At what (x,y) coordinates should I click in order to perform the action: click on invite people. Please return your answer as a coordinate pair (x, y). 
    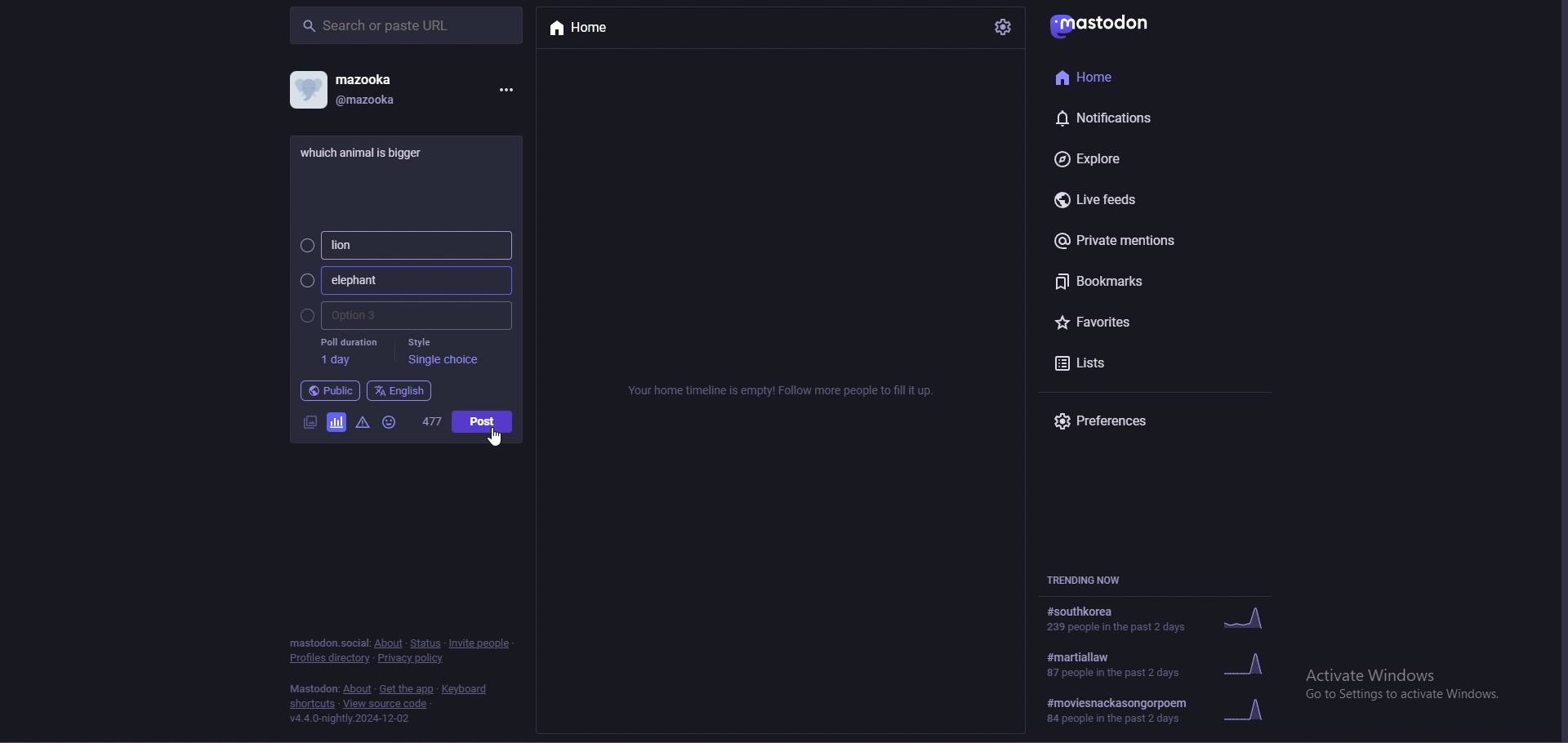
    Looking at the image, I should click on (482, 642).